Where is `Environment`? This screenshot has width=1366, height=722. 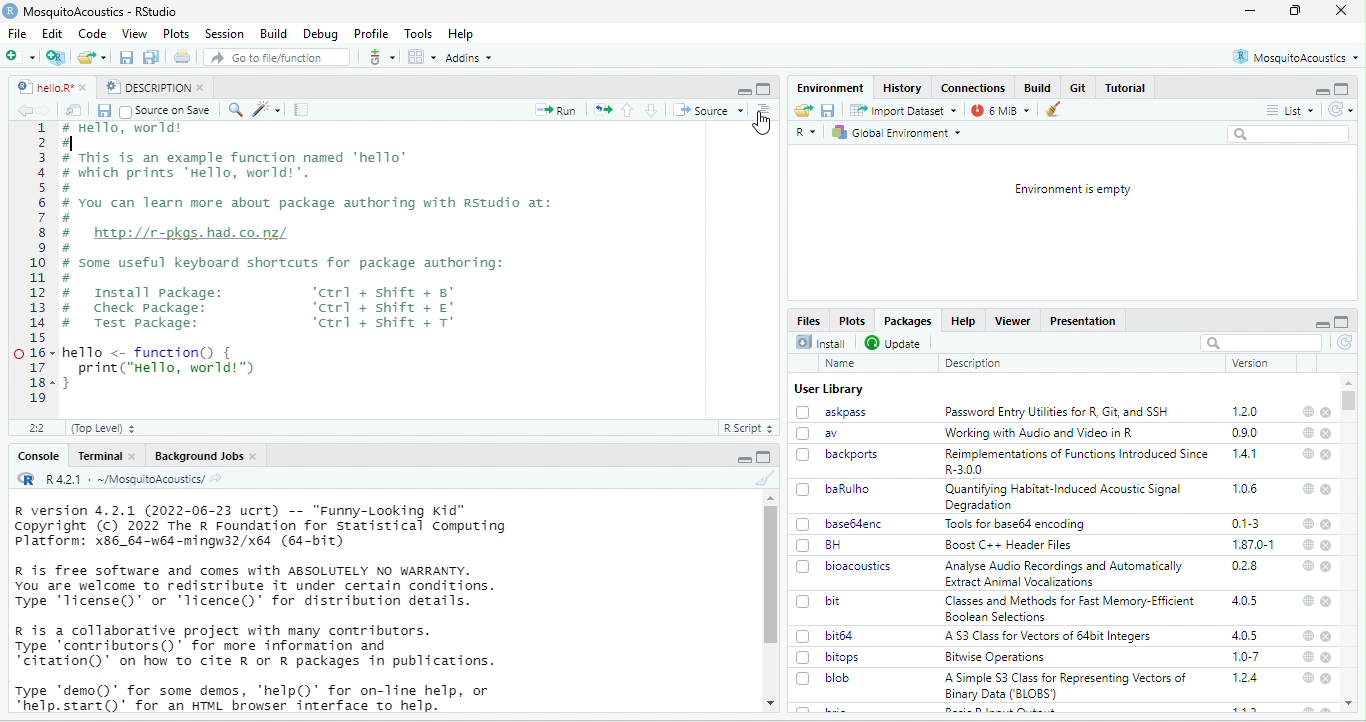 Environment is located at coordinates (828, 87).